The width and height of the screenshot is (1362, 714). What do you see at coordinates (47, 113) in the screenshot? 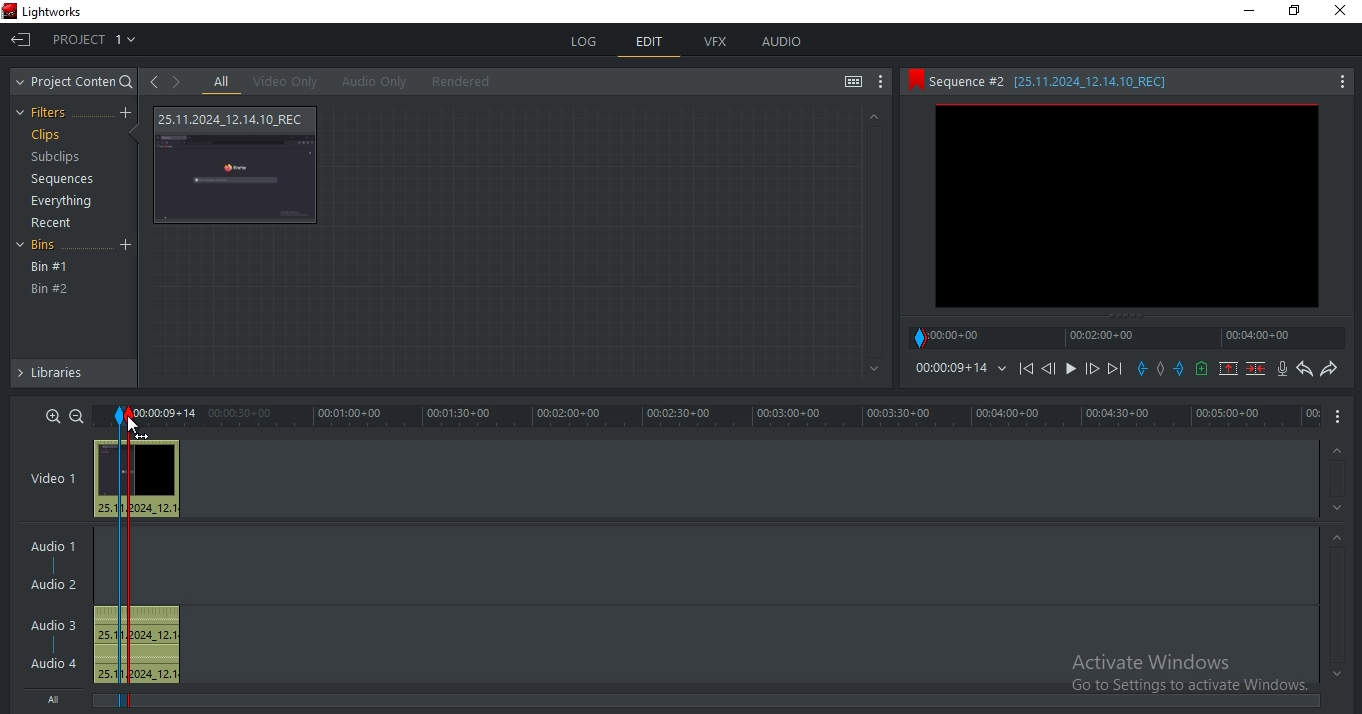
I see `filters` at bounding box center [47, 113].